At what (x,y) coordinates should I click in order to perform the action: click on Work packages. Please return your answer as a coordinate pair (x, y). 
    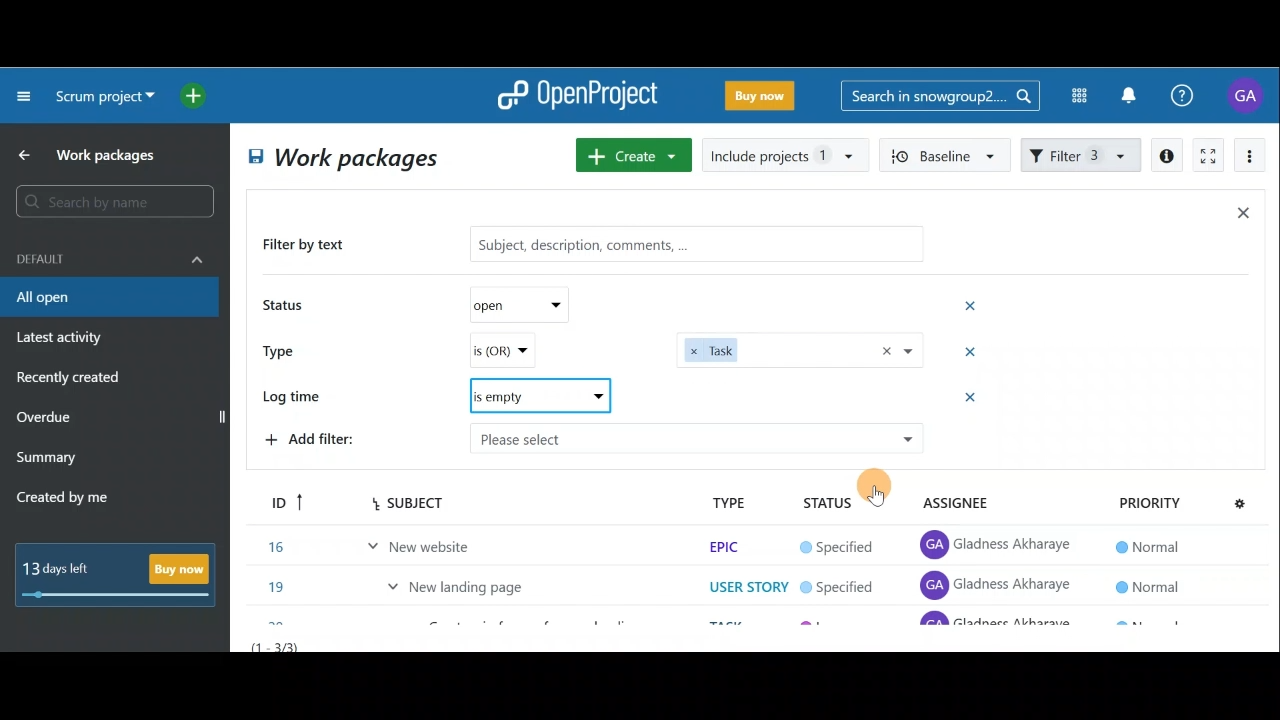
    Looking at the image, I should click on (91, 155).